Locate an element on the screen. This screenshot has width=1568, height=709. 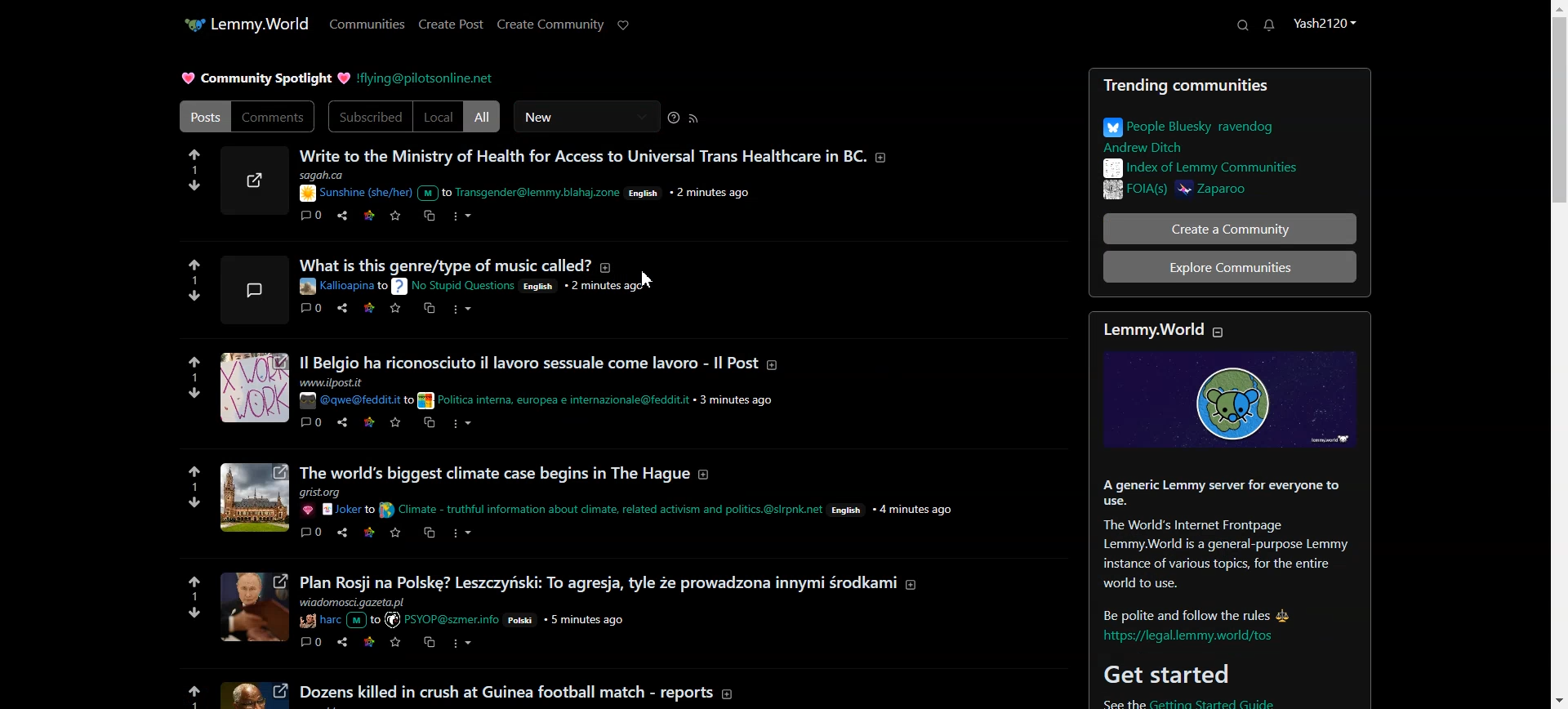
See the is located at coordinates (1114, 703).